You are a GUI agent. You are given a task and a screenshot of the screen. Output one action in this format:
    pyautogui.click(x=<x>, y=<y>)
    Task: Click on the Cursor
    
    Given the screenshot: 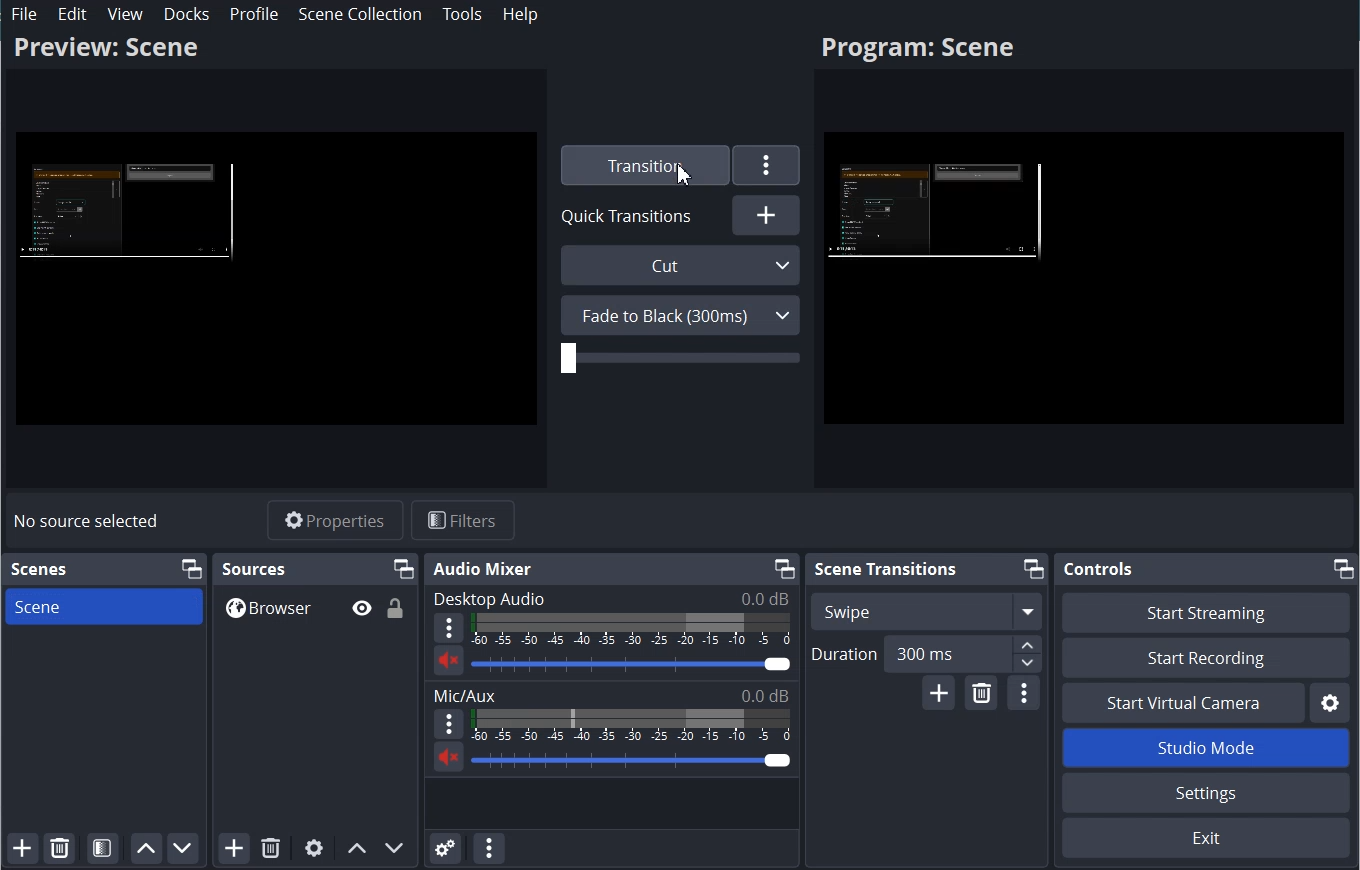 What is the action you would take?
    pyautogui.click(x=687, y=174)
    